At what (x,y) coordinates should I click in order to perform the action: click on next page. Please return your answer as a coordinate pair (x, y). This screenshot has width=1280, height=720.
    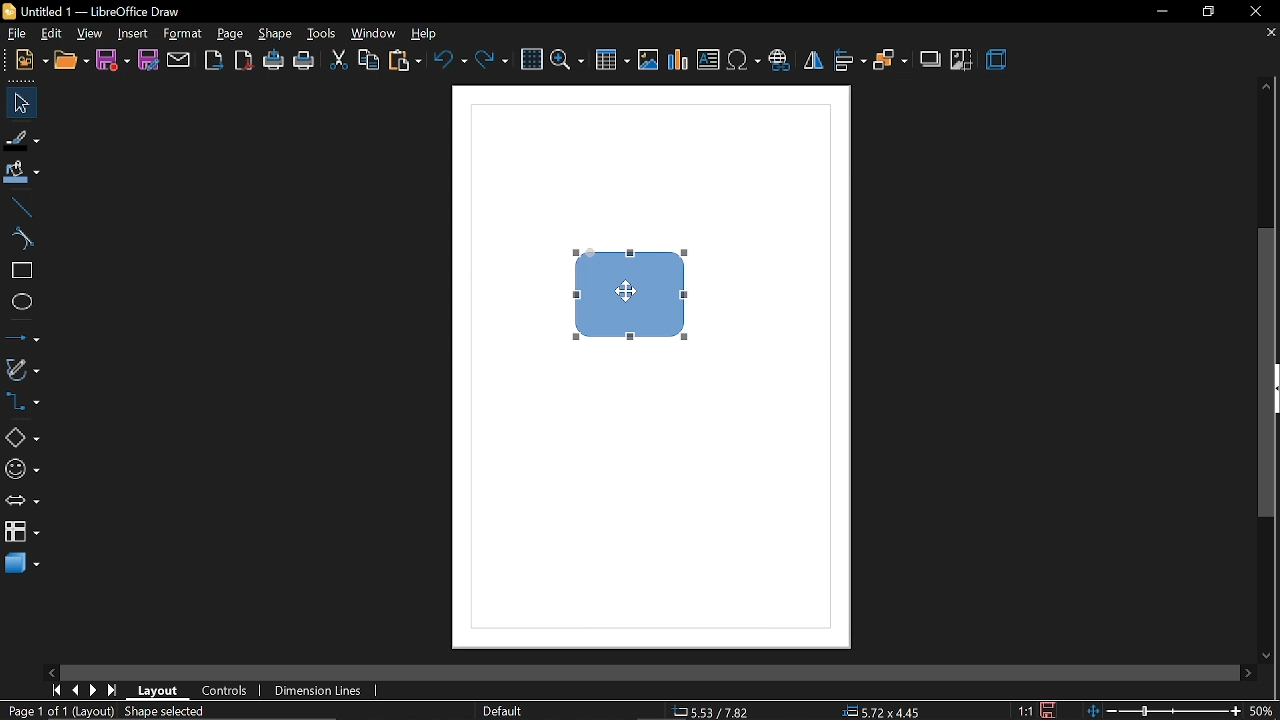
    Looking at the image, I should click on (94, 691).